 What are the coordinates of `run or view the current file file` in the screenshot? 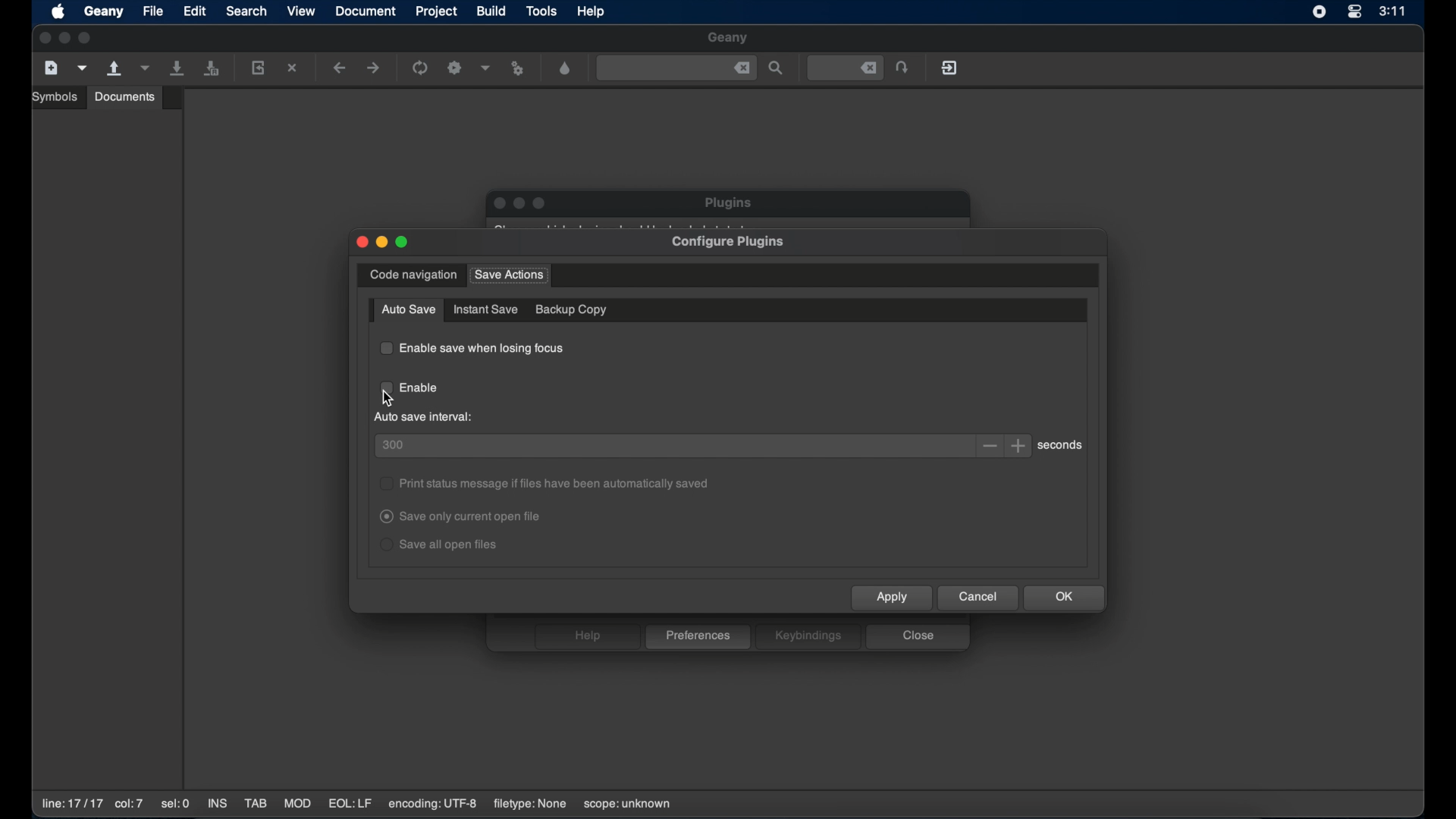 It's located at (520, 69).